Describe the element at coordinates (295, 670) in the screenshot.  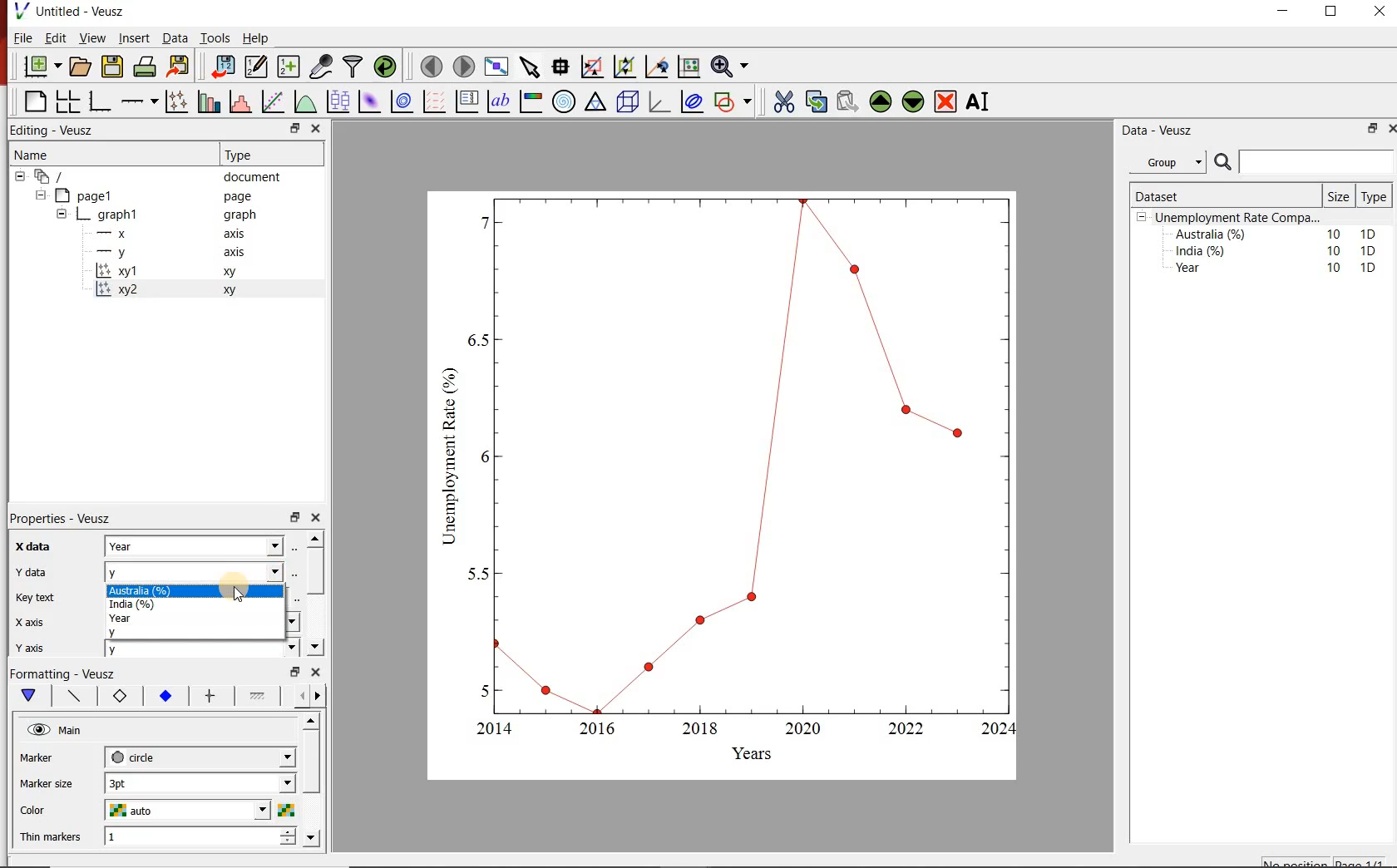
I see `minimise` at that location.